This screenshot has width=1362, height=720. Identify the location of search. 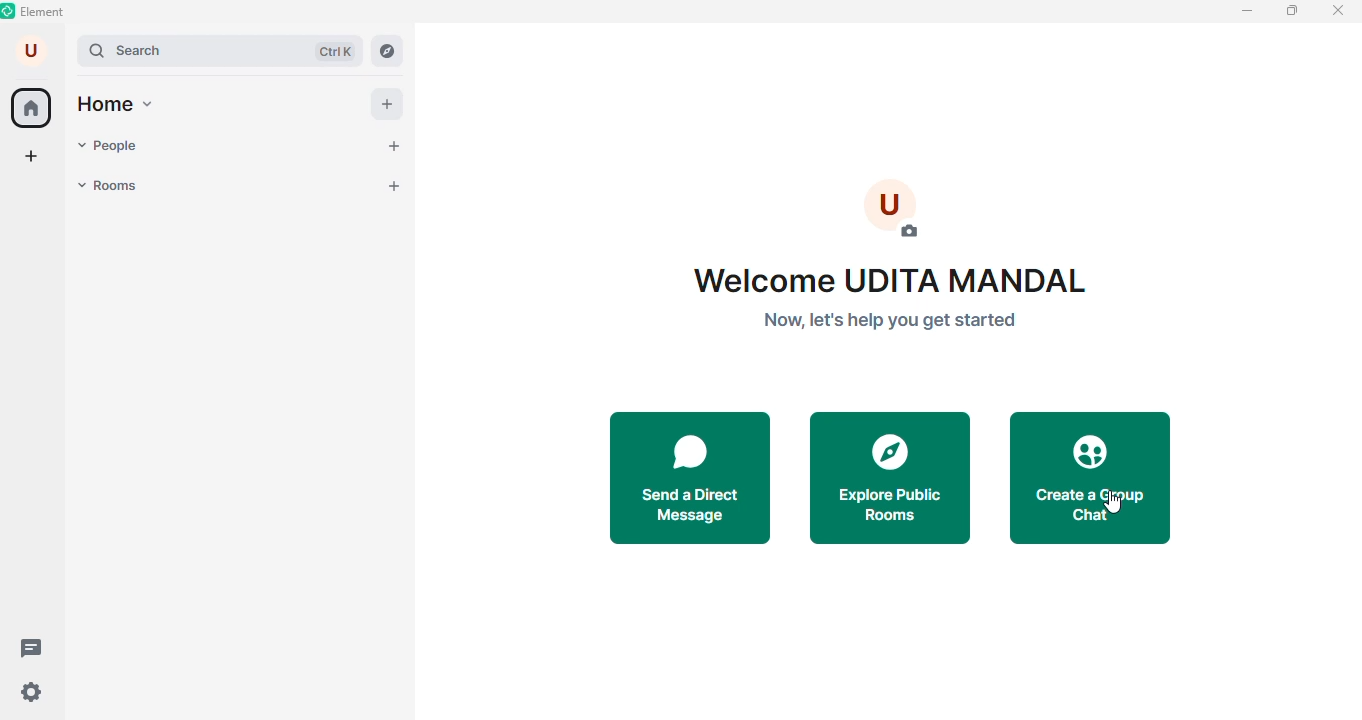
(218, 52).